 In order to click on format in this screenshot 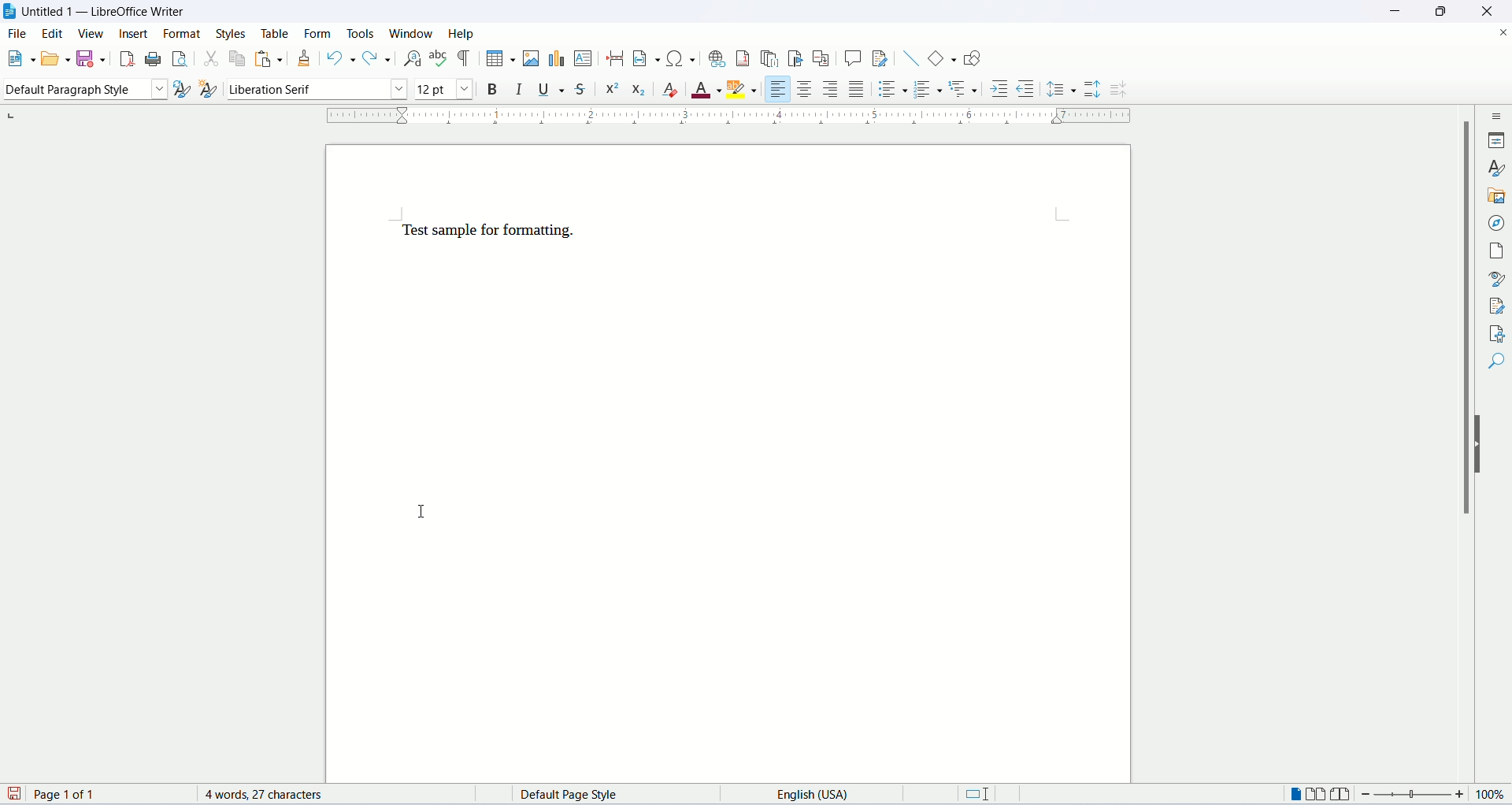, I will do `click(185, 33)`.